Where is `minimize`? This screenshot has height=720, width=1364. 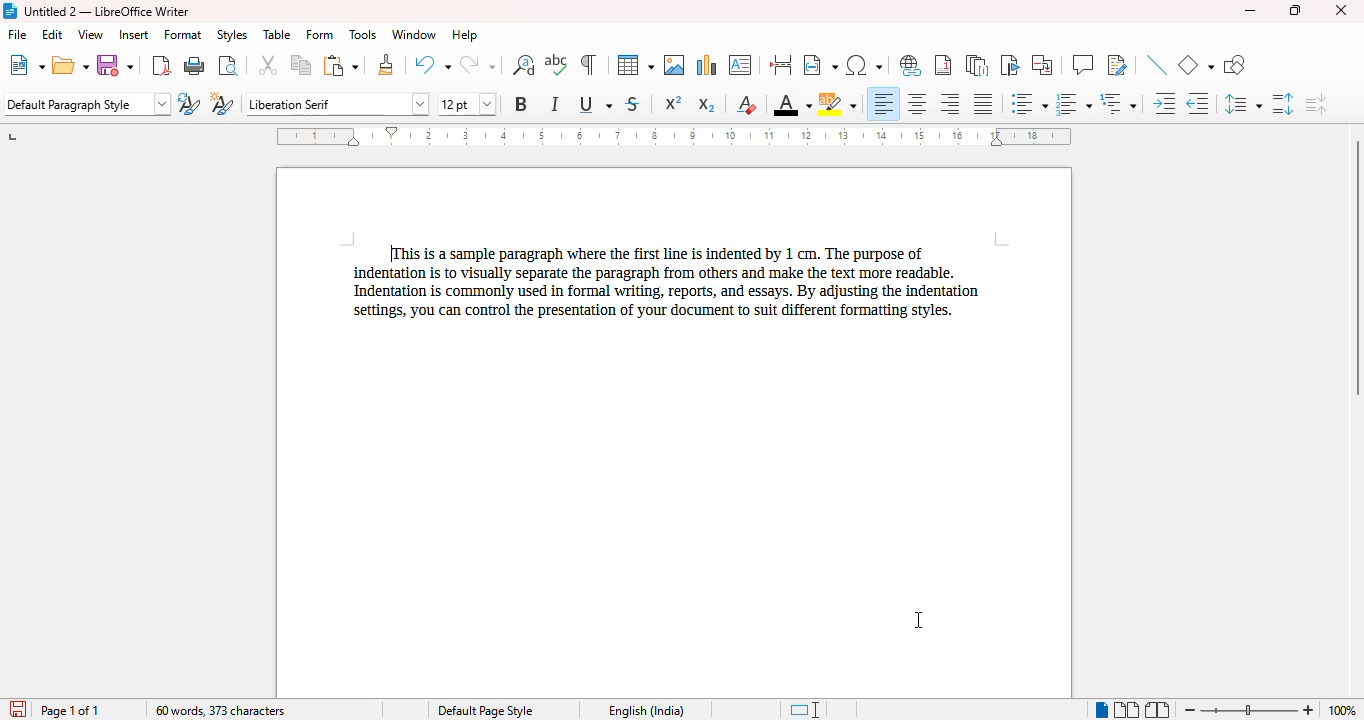
minimize is located at coordinates (1251, 11).